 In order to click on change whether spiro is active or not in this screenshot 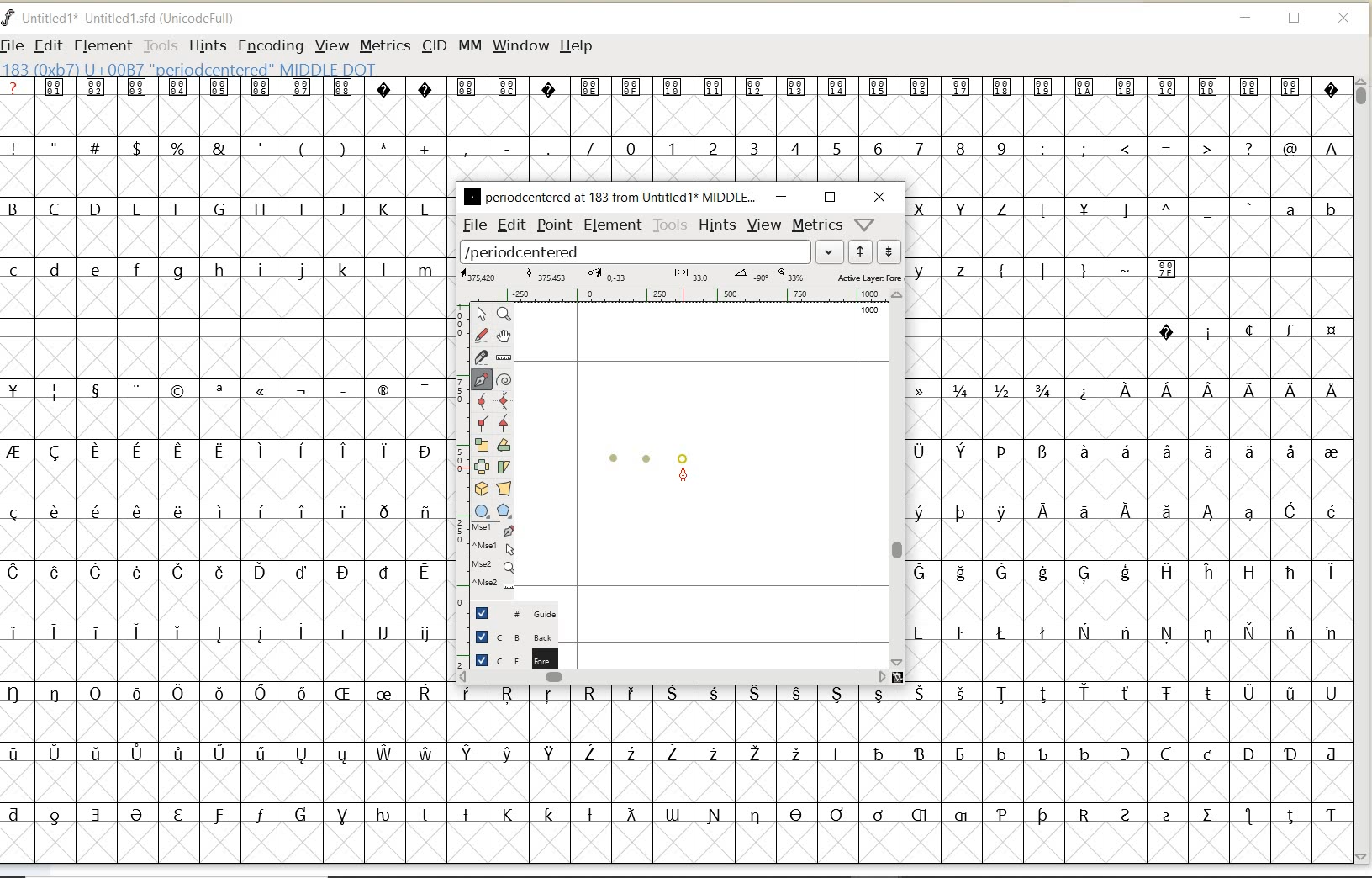, I will do `click(504, 378)`.